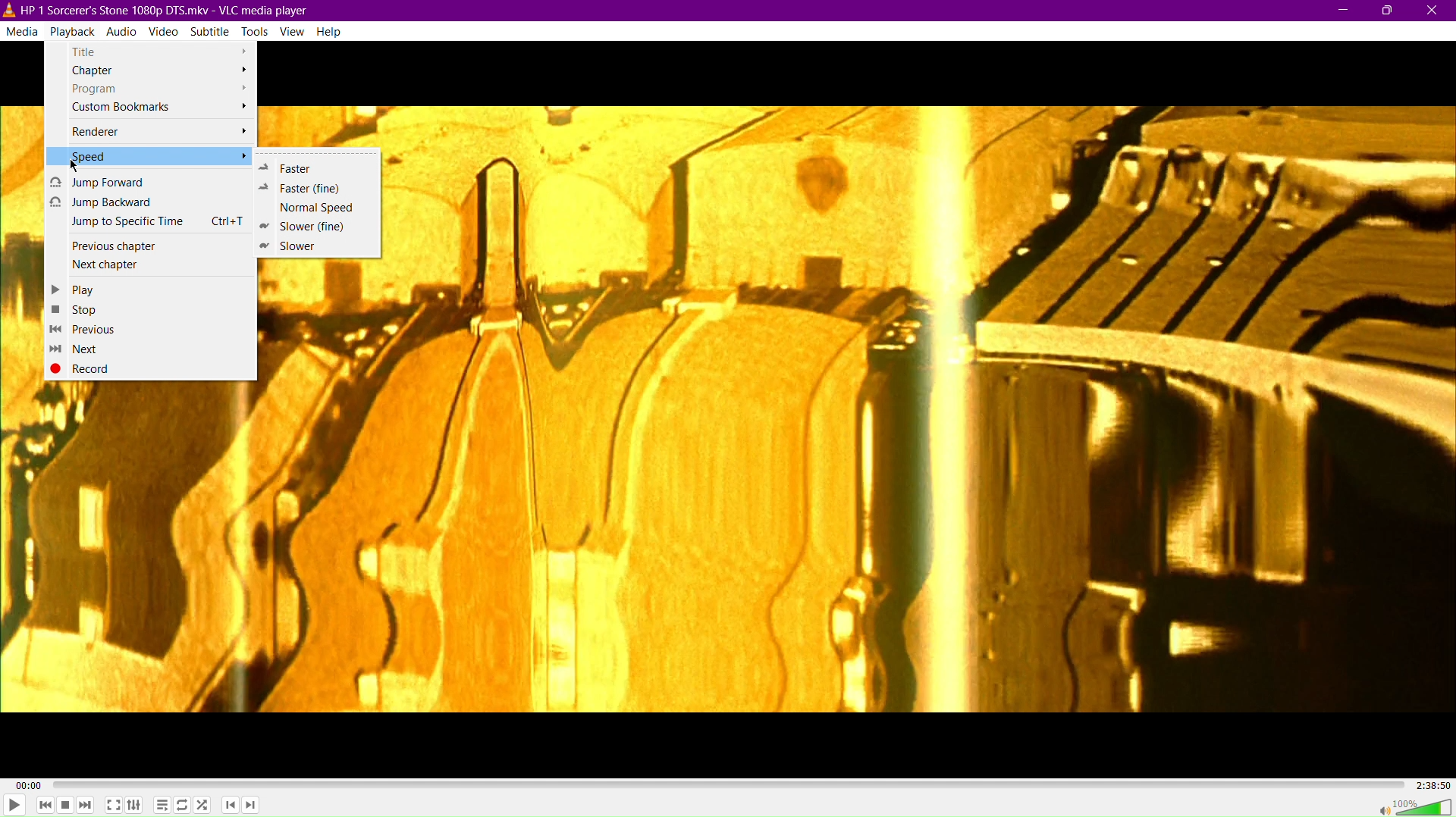  I want to click on Previous Chapter, so click(151, 246).